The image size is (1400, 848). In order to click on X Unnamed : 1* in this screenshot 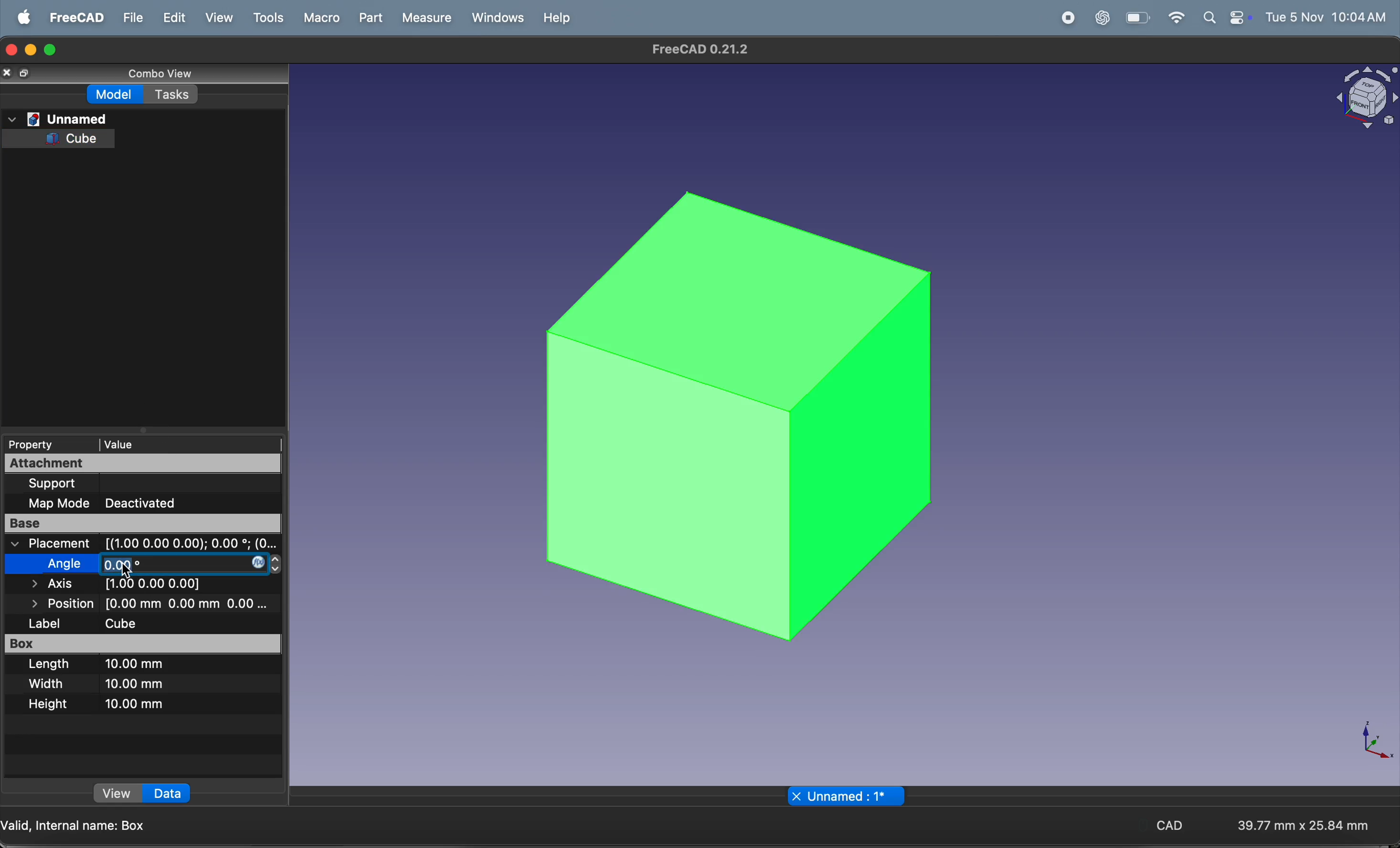, I will do `click(849, 797)`.